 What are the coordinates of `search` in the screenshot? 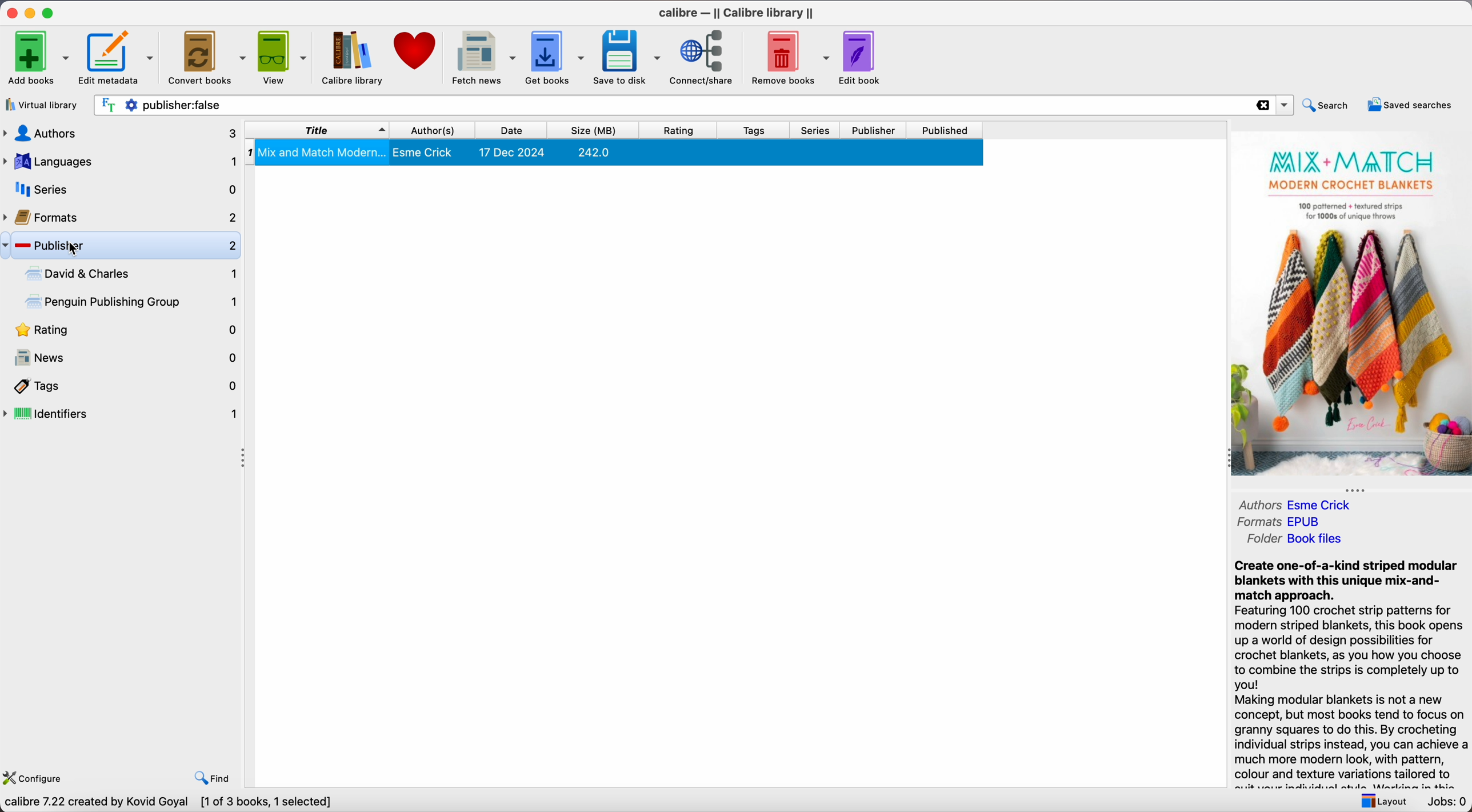 It's located at (1327, 104).